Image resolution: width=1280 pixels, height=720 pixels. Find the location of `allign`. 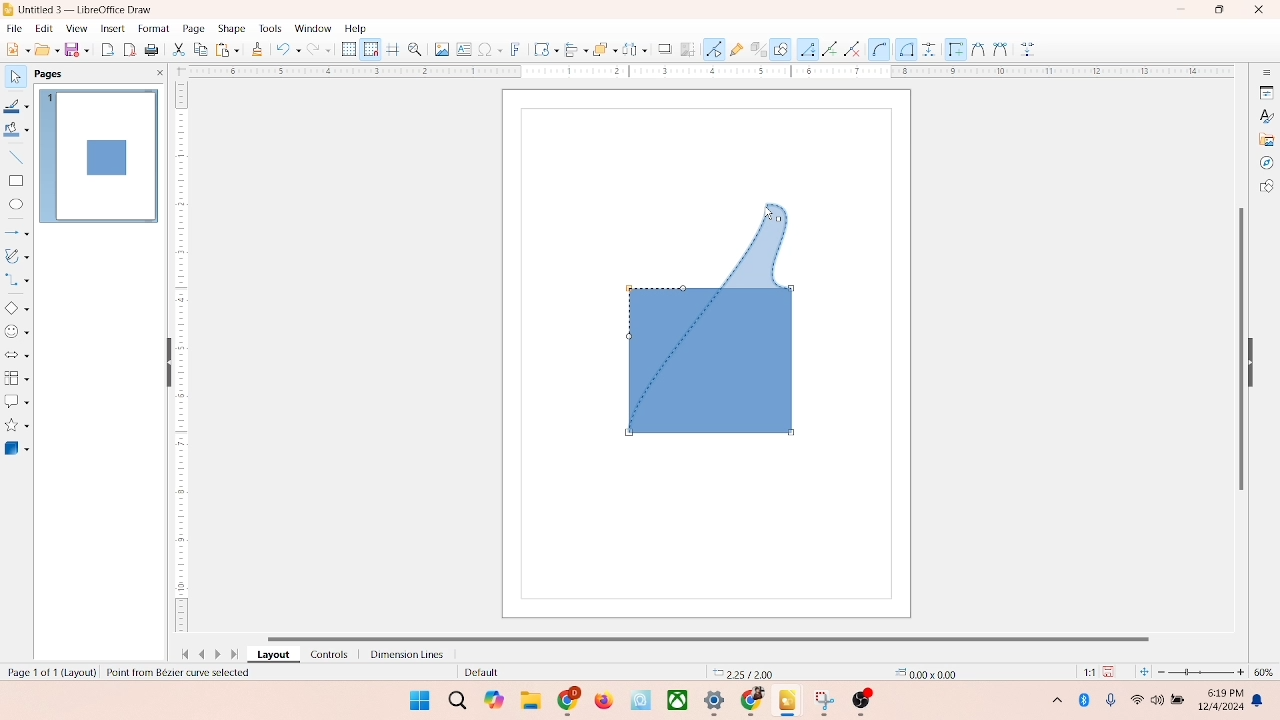

allign is located at coordinates (572, 47).